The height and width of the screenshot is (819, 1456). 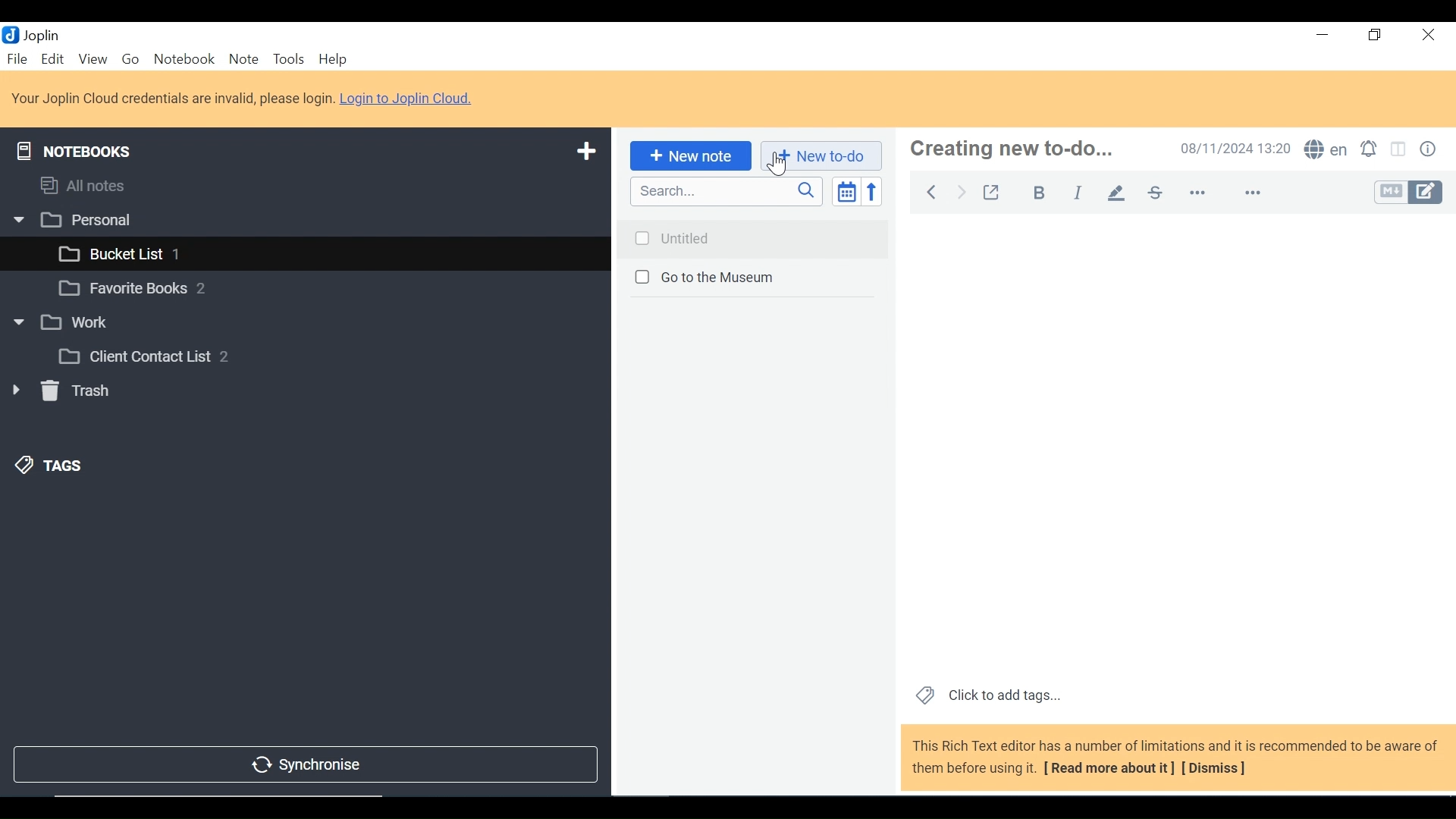 What do you see at coordinates (1078, 193) in the screenshot?
I see `Italics` at bounding box center [1078, 193].